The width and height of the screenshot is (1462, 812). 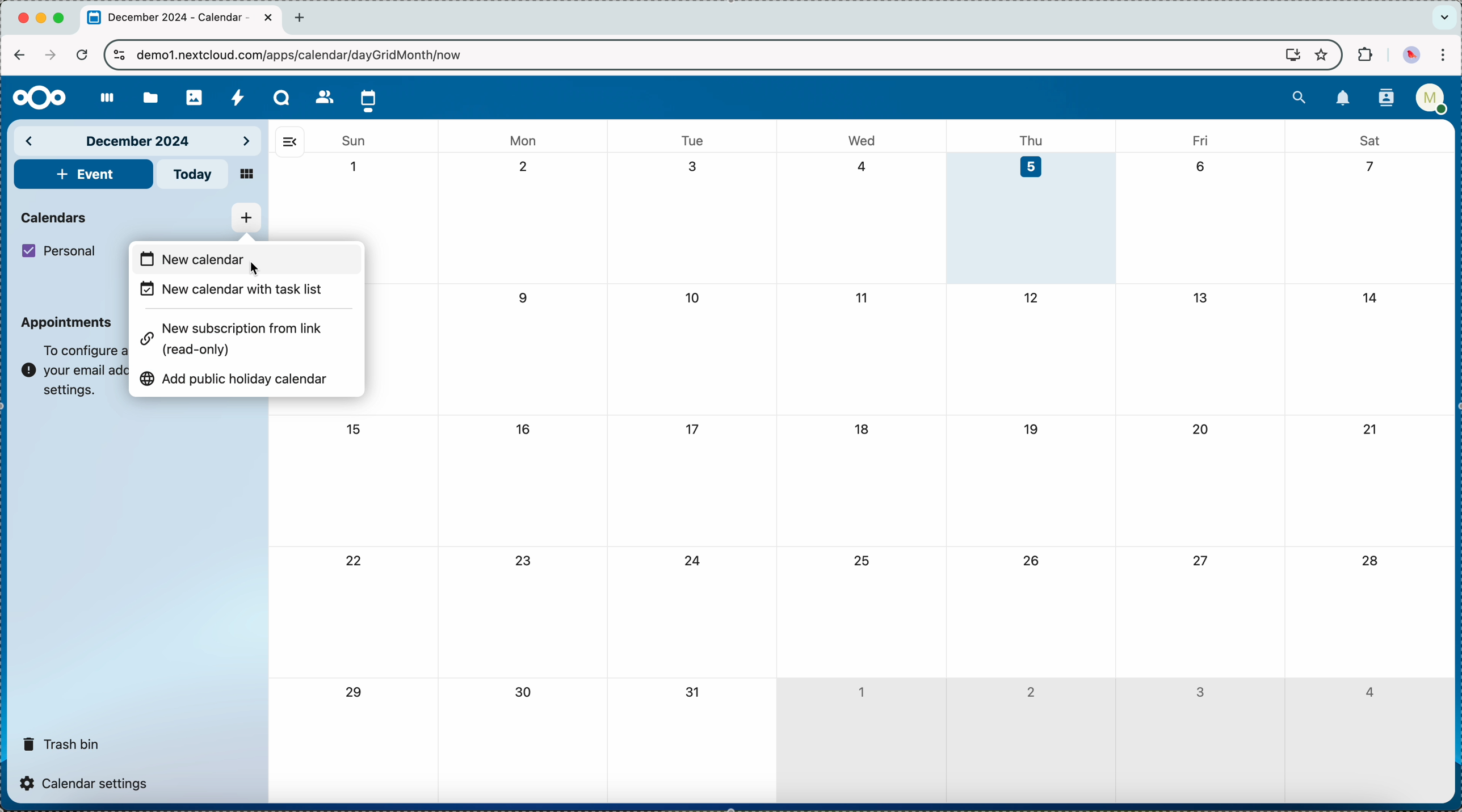 I want to click on hide side bar, so click(x=289, y=141).